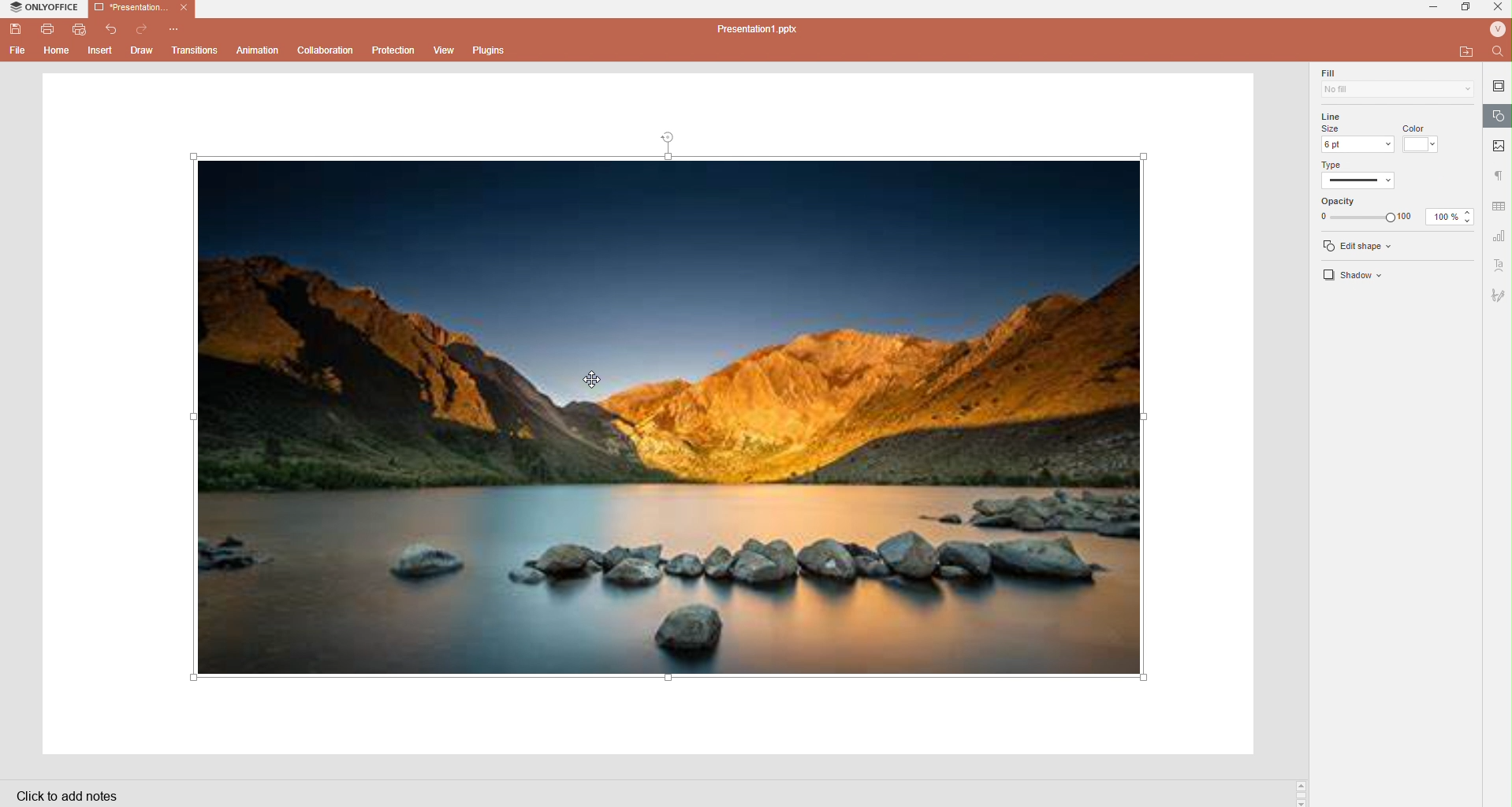 This screenshot has height=807, width=1512. I want to click on Click to add notes, so click(68, 798).